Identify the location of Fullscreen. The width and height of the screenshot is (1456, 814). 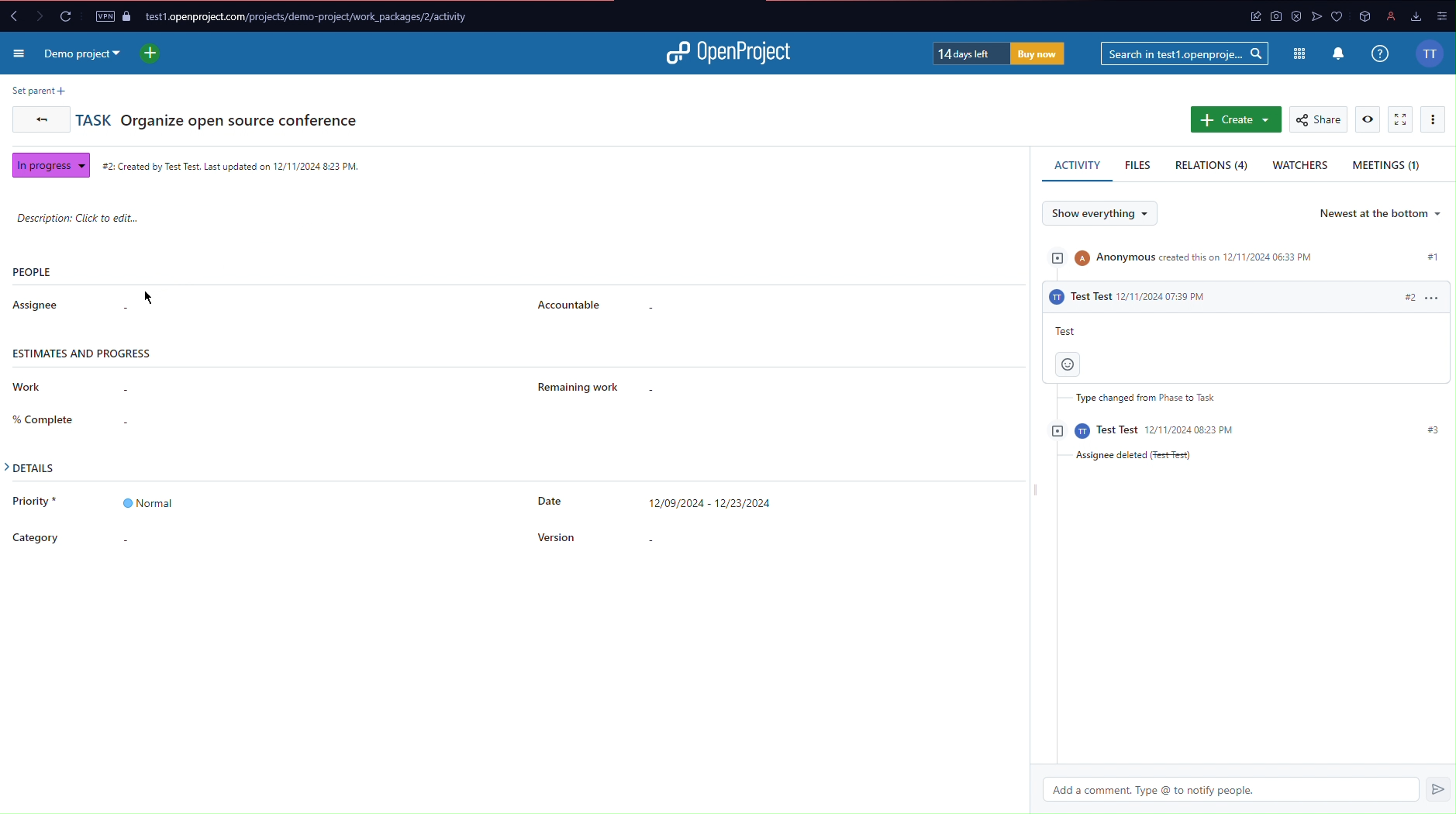
(1401, 119).